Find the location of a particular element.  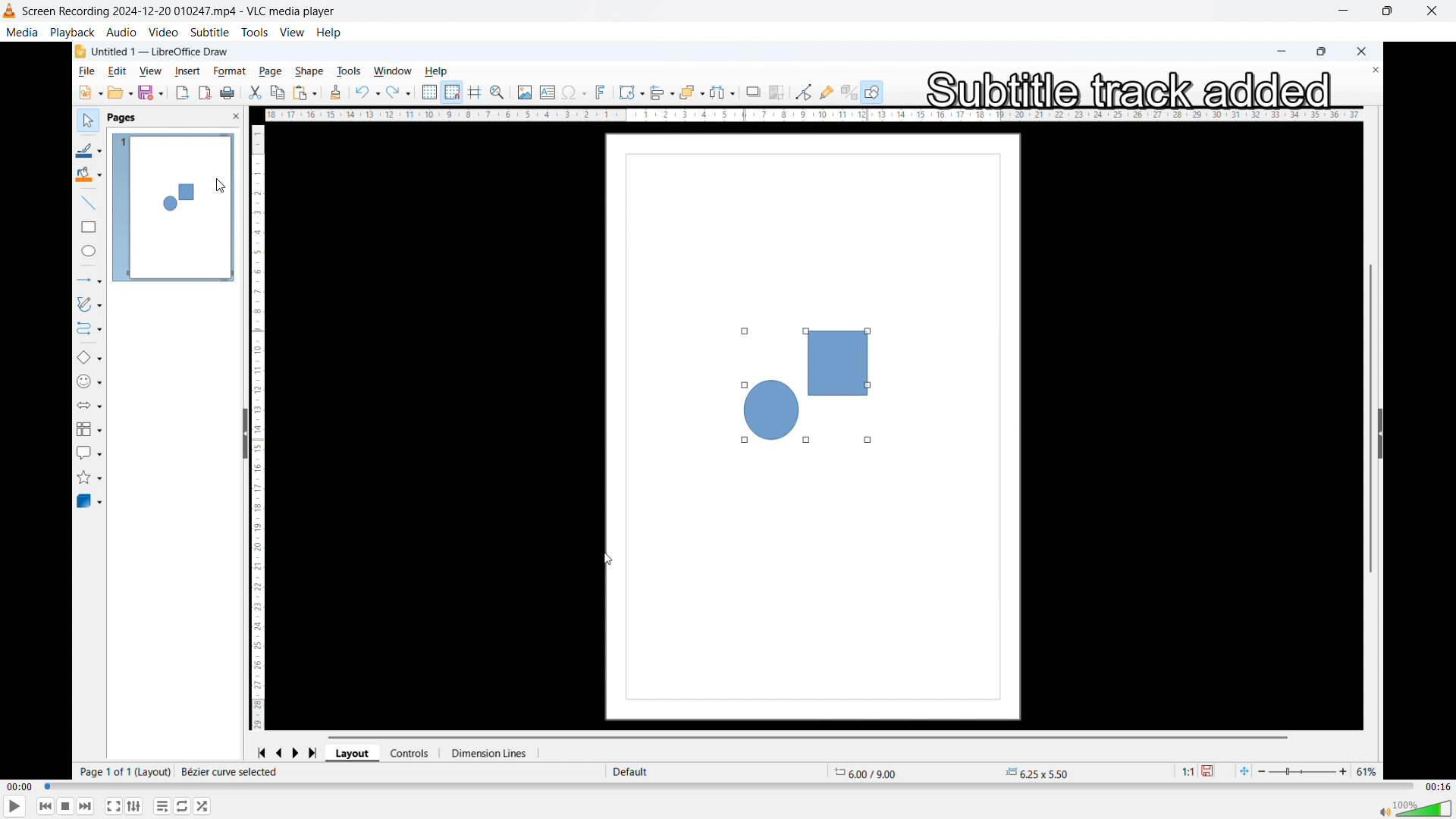

Random  is located at coordinates (203, 806).